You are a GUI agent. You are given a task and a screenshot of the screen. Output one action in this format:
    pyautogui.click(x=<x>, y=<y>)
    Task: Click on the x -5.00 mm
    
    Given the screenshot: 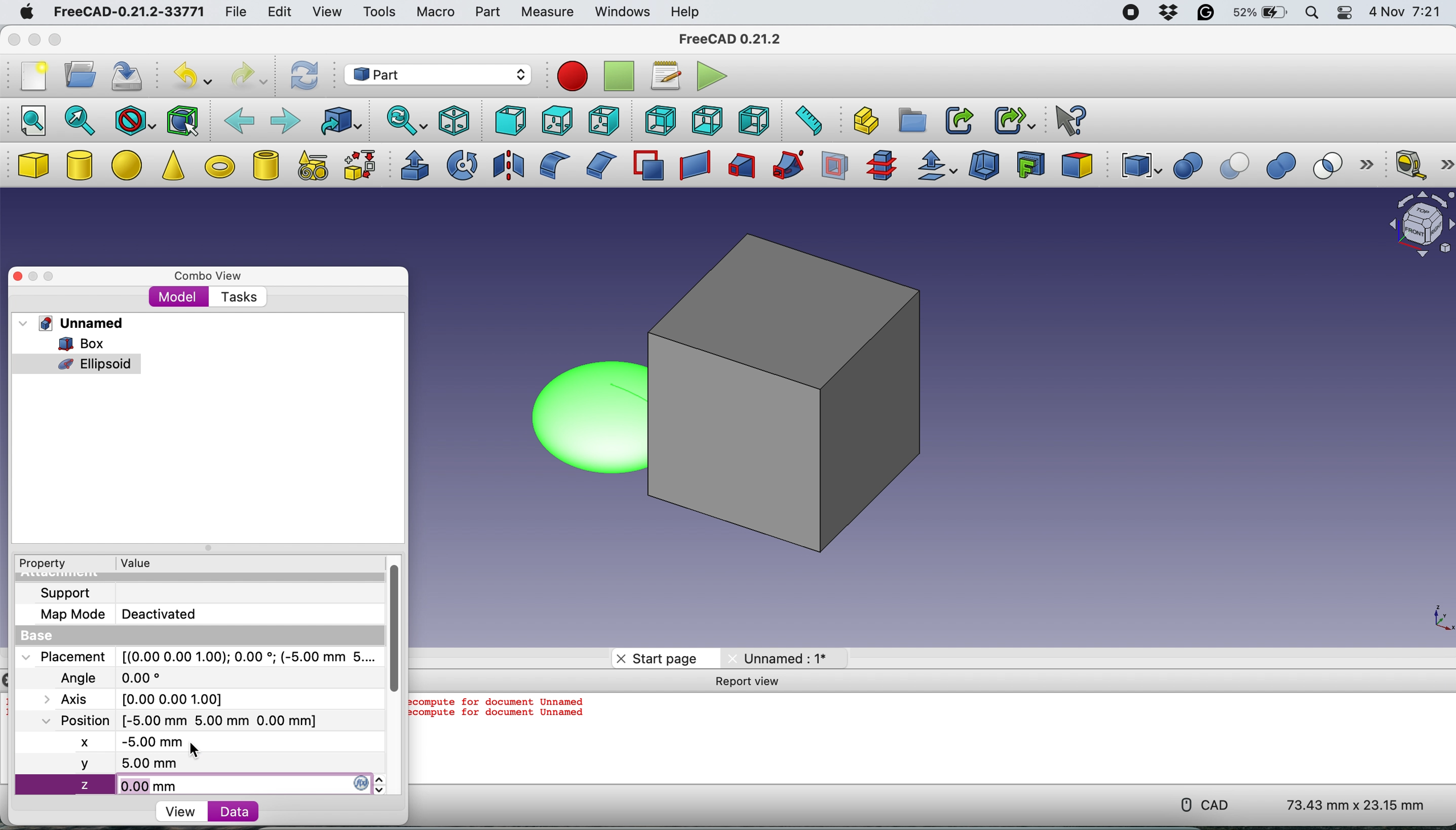 What is the action you would take?
    pyautogui.click(x=136, y=743)
    